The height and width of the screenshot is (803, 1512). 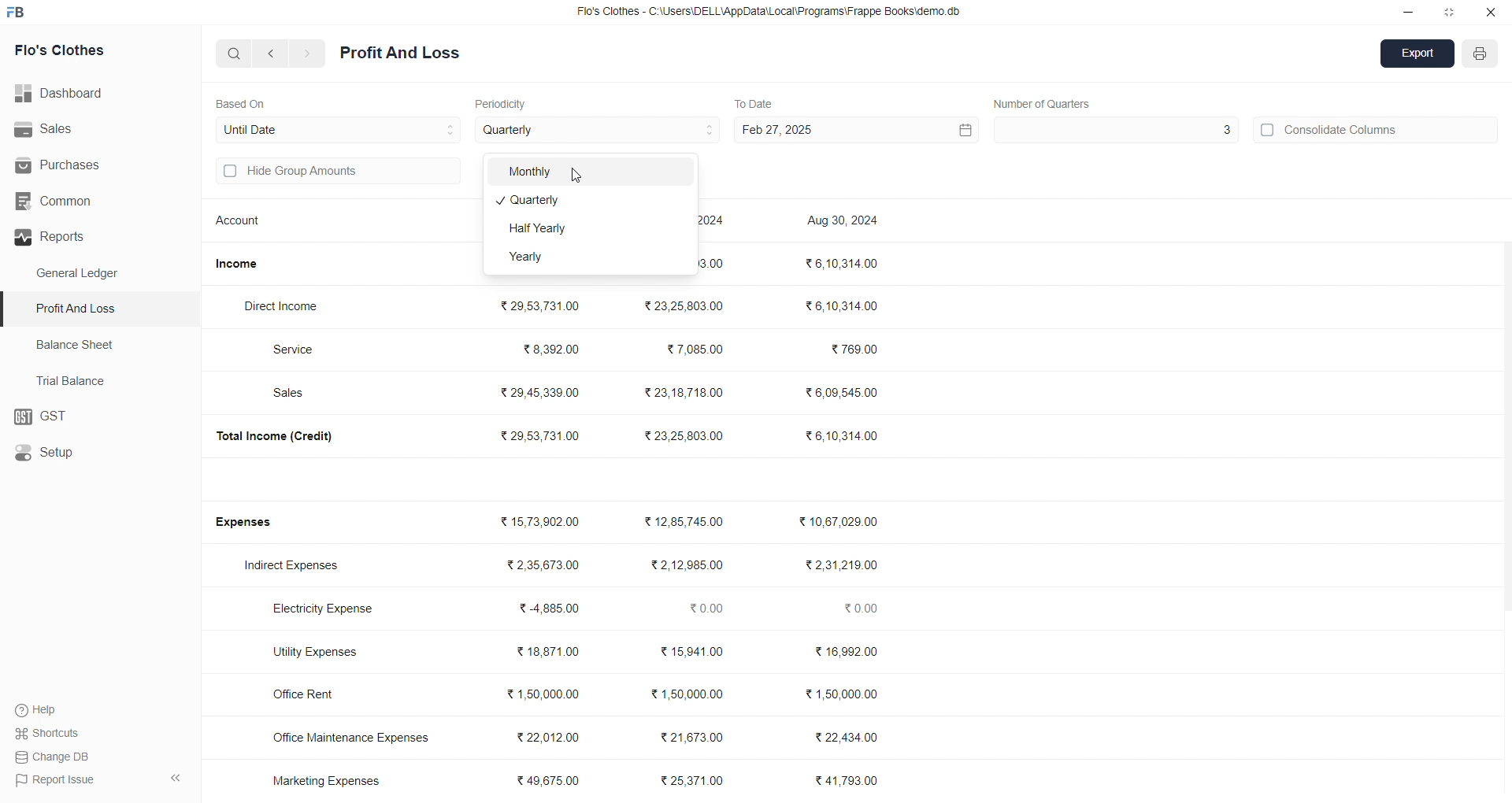 What do you see at coordinates (553, 735) in the screenshot?
I see `₹22,012.00` at bounding box center [553, 735].